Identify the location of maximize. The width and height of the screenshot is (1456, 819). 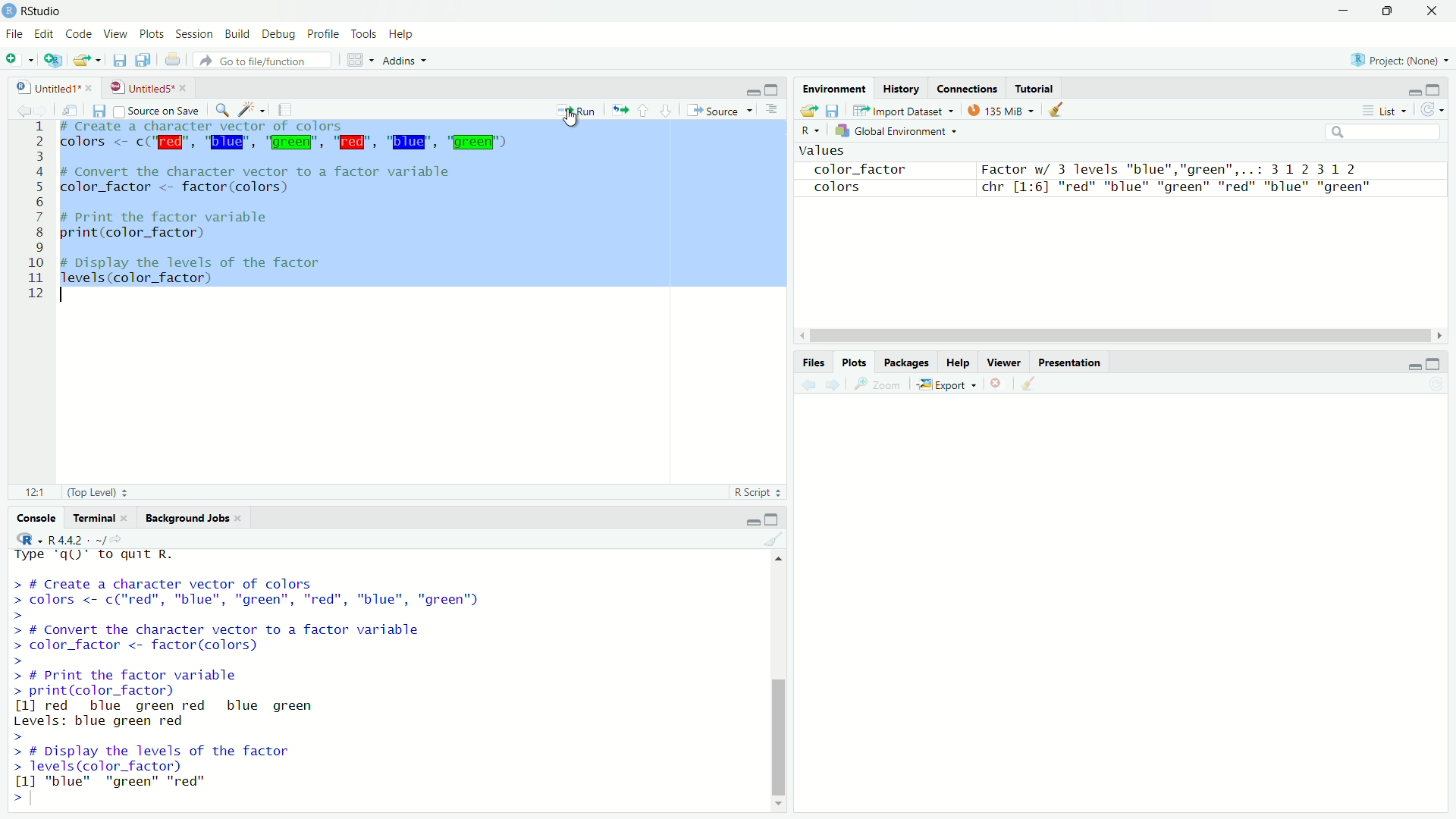
(1441, 362).